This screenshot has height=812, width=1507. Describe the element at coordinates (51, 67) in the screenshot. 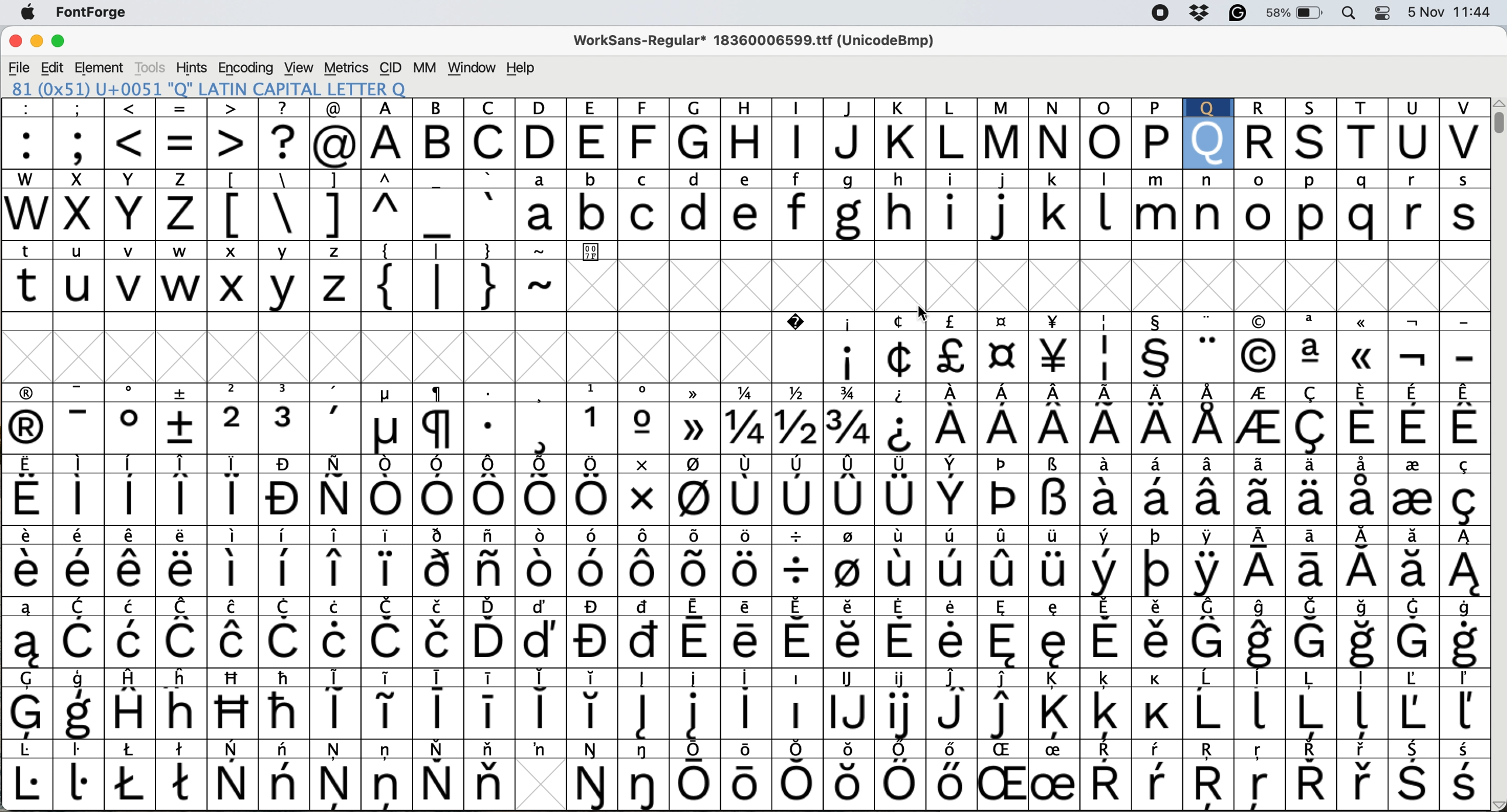

I see `edit` at that location.